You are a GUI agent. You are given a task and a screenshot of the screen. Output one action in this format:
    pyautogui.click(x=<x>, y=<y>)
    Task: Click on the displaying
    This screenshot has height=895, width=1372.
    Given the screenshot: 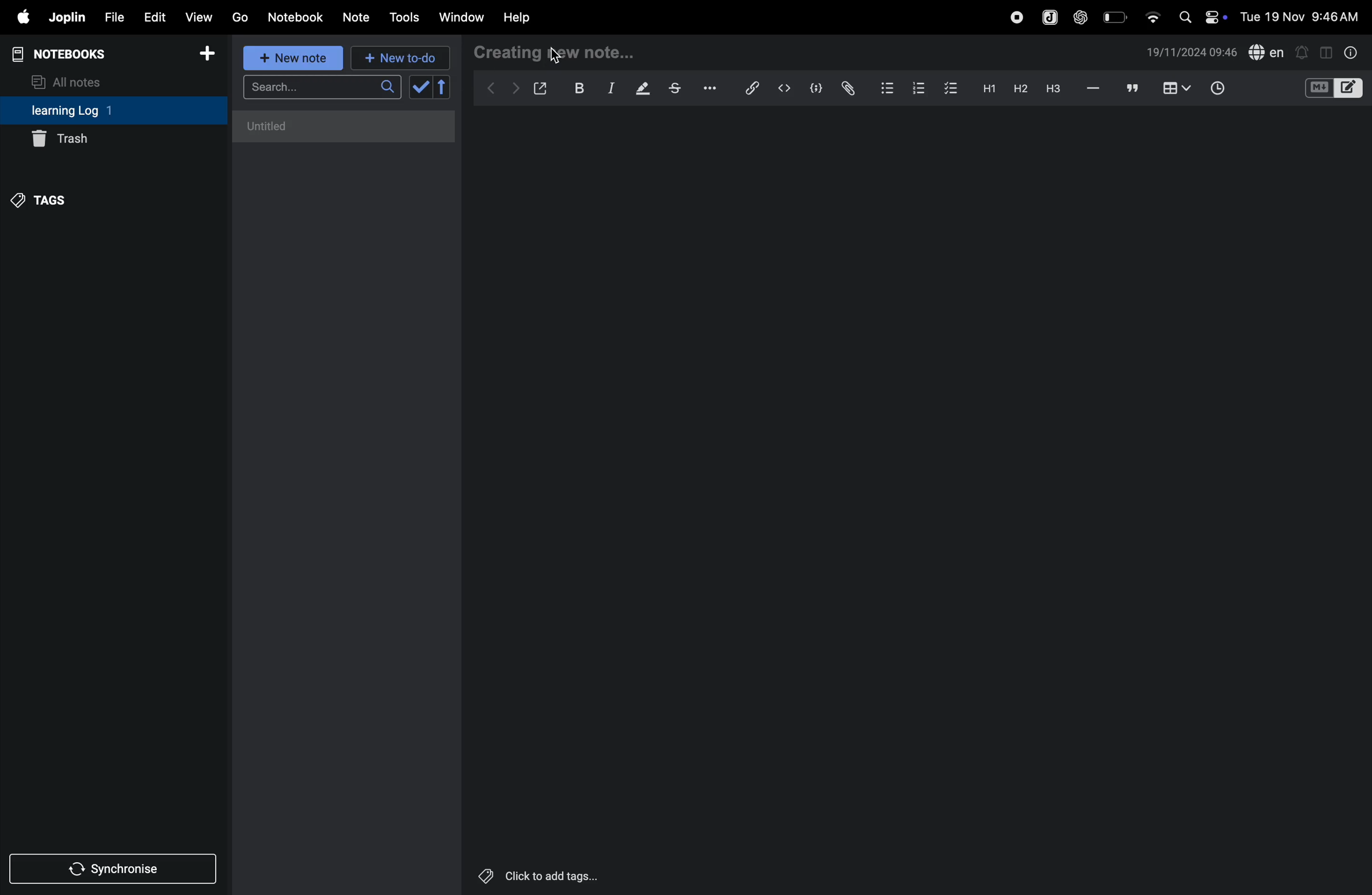 What is the action you would take?
    pyautogui.click(x=643, y=89)
    